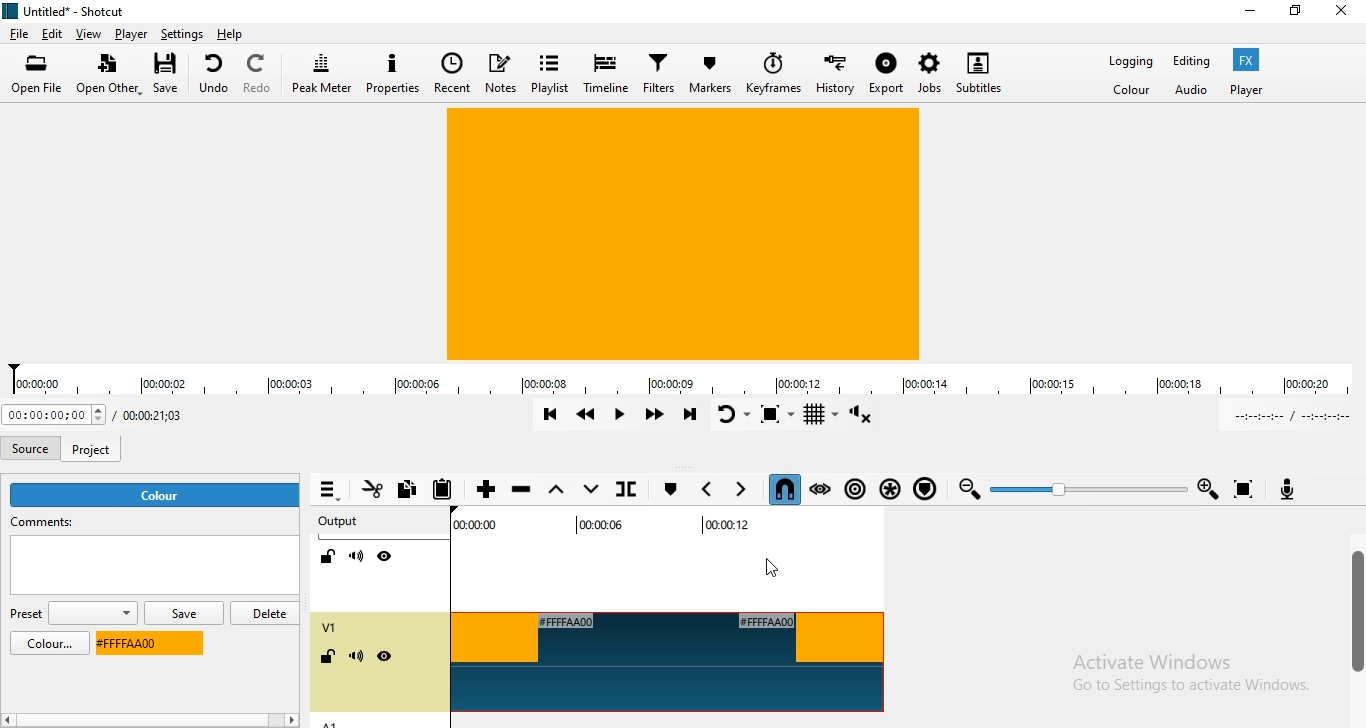  Describe the element at coordinates (37, 74) in the screenshot. I see `Open file ` at that location.